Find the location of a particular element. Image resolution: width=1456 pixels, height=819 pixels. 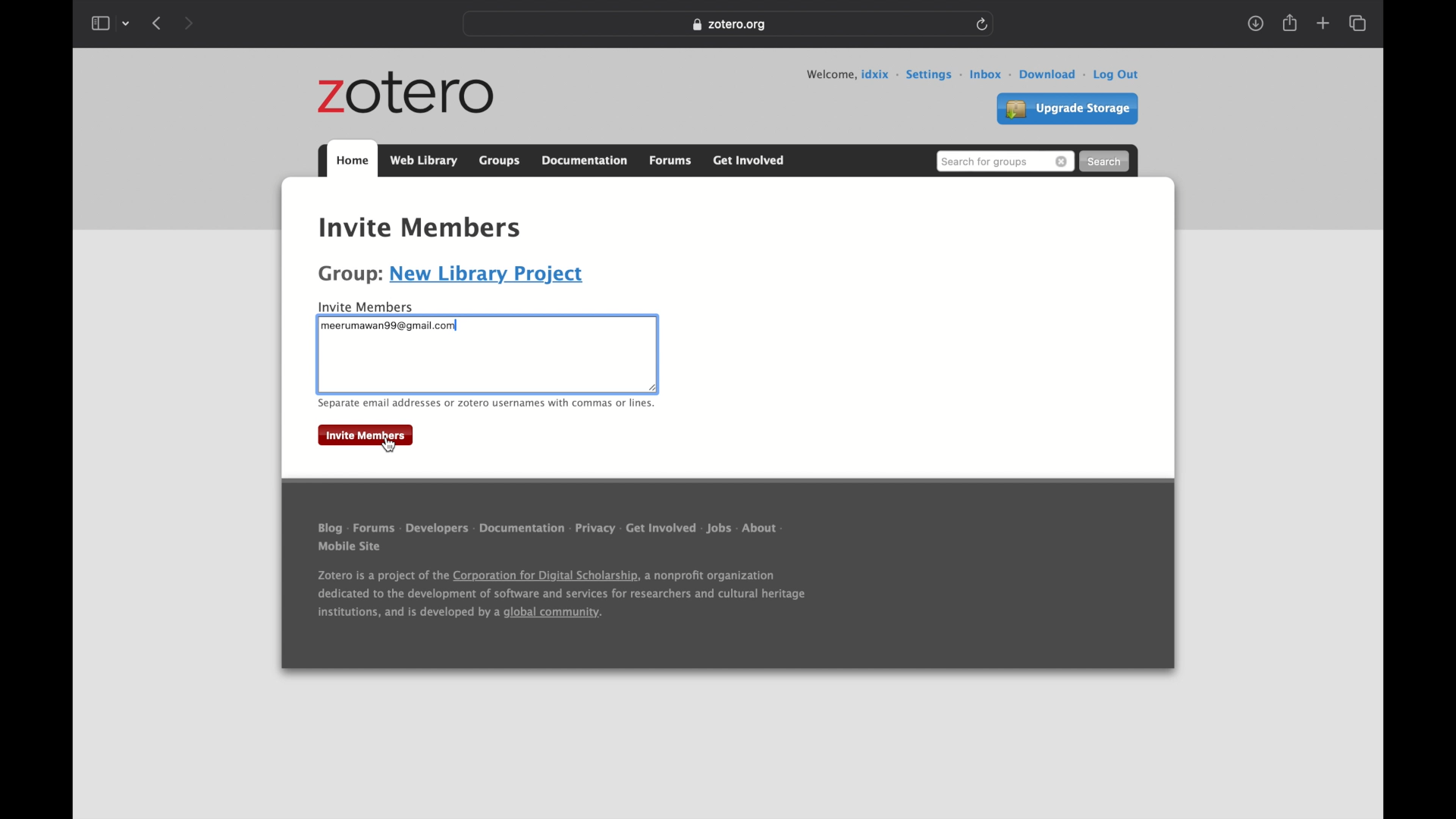

settings is located at coordinates (934, 74).